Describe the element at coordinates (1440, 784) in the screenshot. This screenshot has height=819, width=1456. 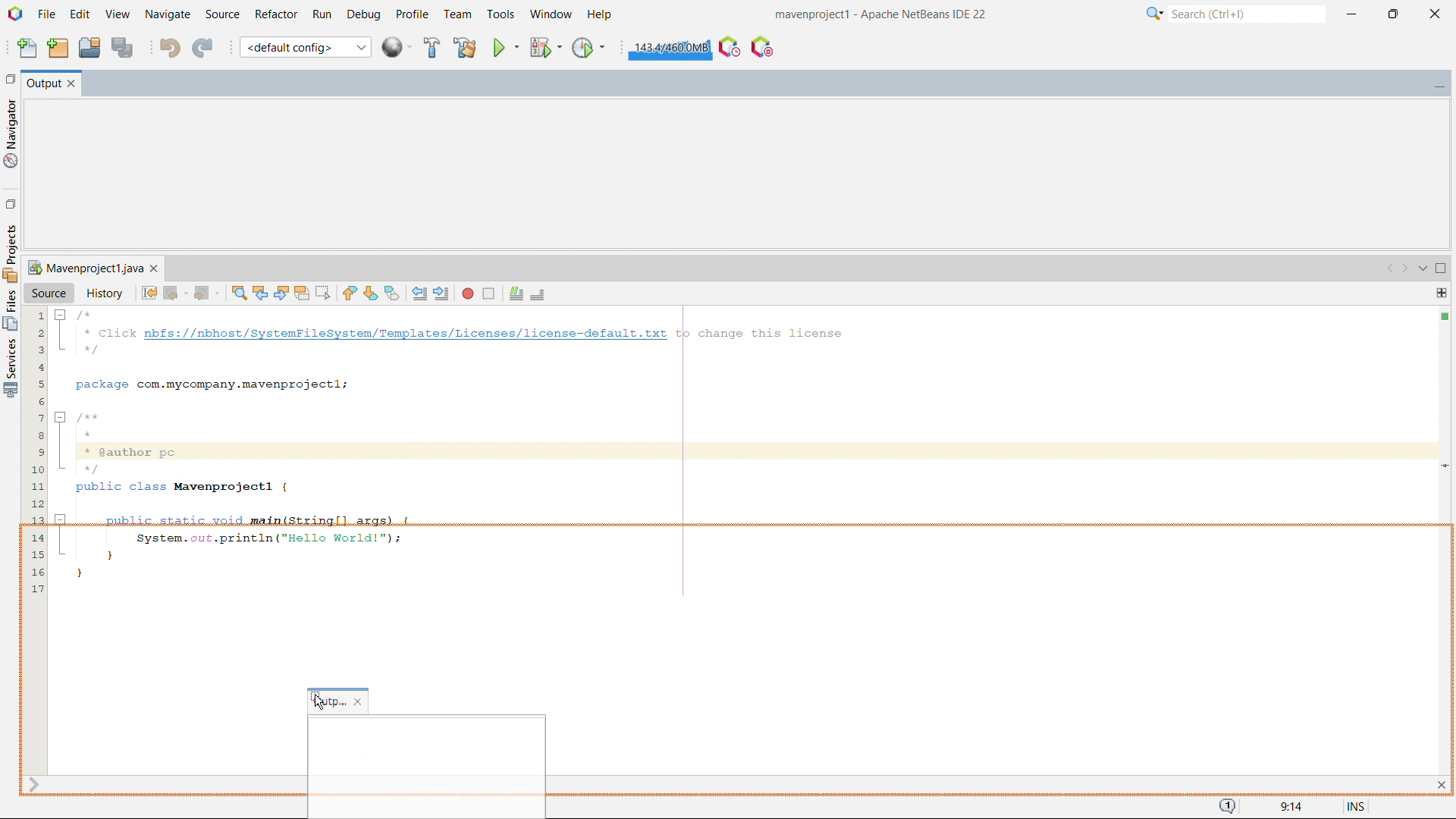
I see `close` at that location.